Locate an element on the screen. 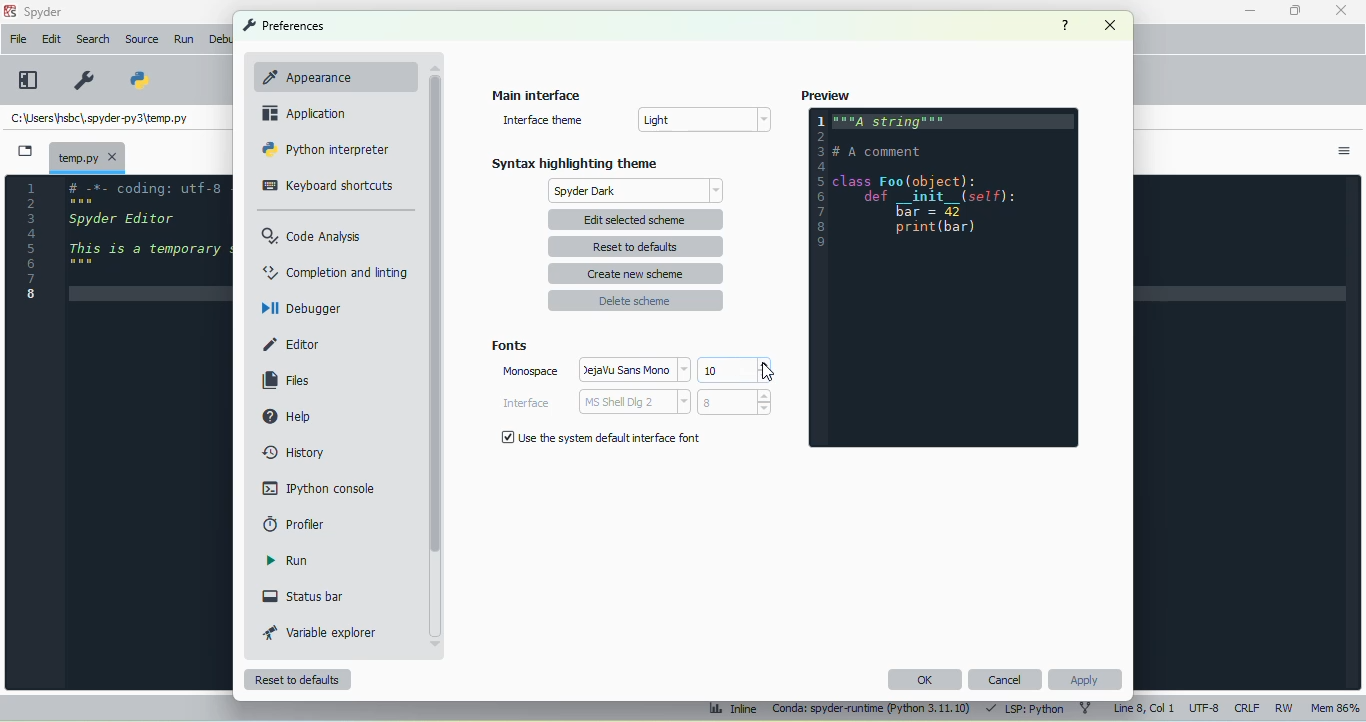 The height and width of the screenshot is (722, 1366). conda: spyder-runtime (python 3. 11. 10) is located at coordinates (872, 710).